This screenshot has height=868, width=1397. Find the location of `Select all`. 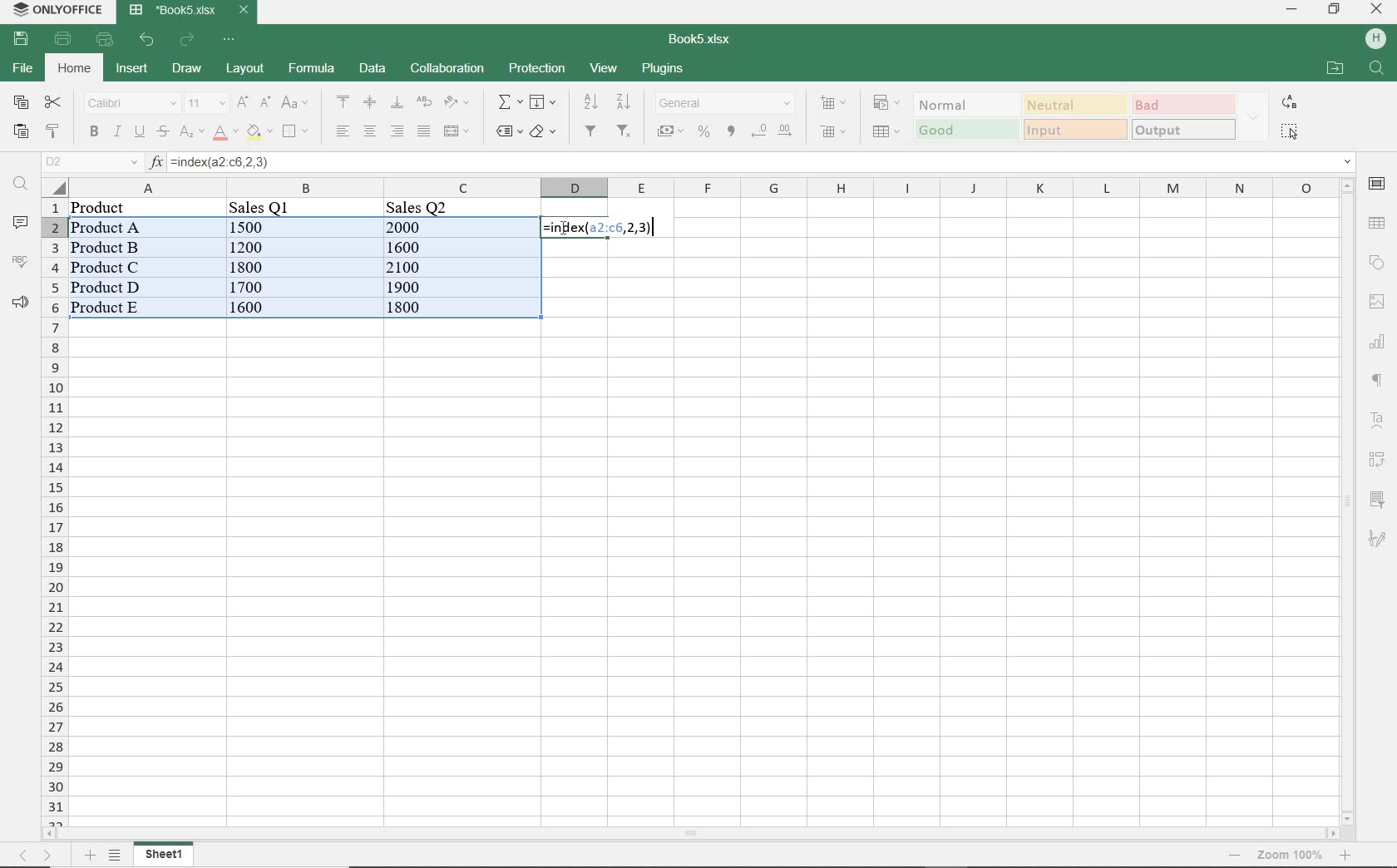

Select all is located at coordinates (53, 188).